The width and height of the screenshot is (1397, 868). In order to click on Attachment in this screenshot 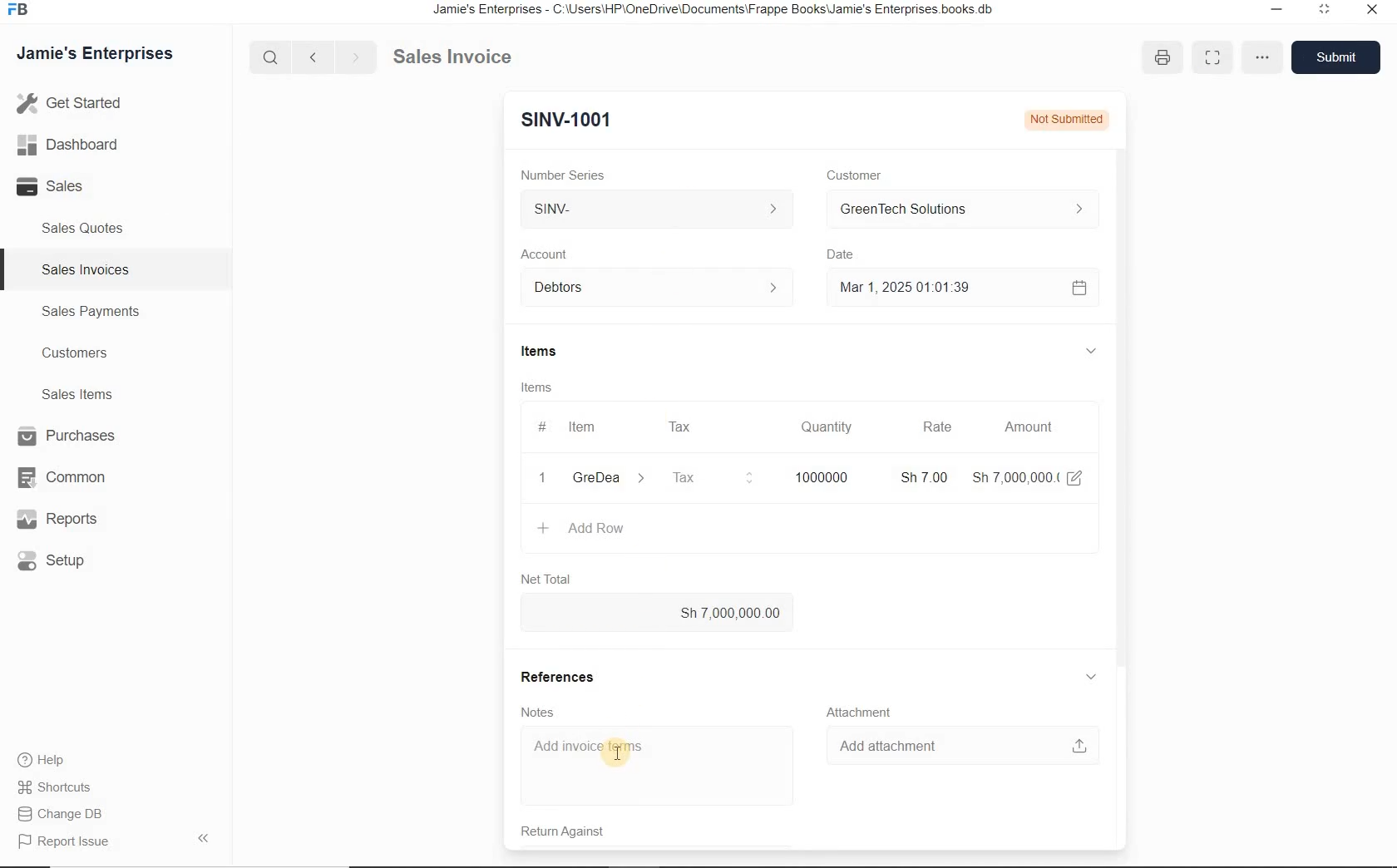, I will do `click(863, 711)`.